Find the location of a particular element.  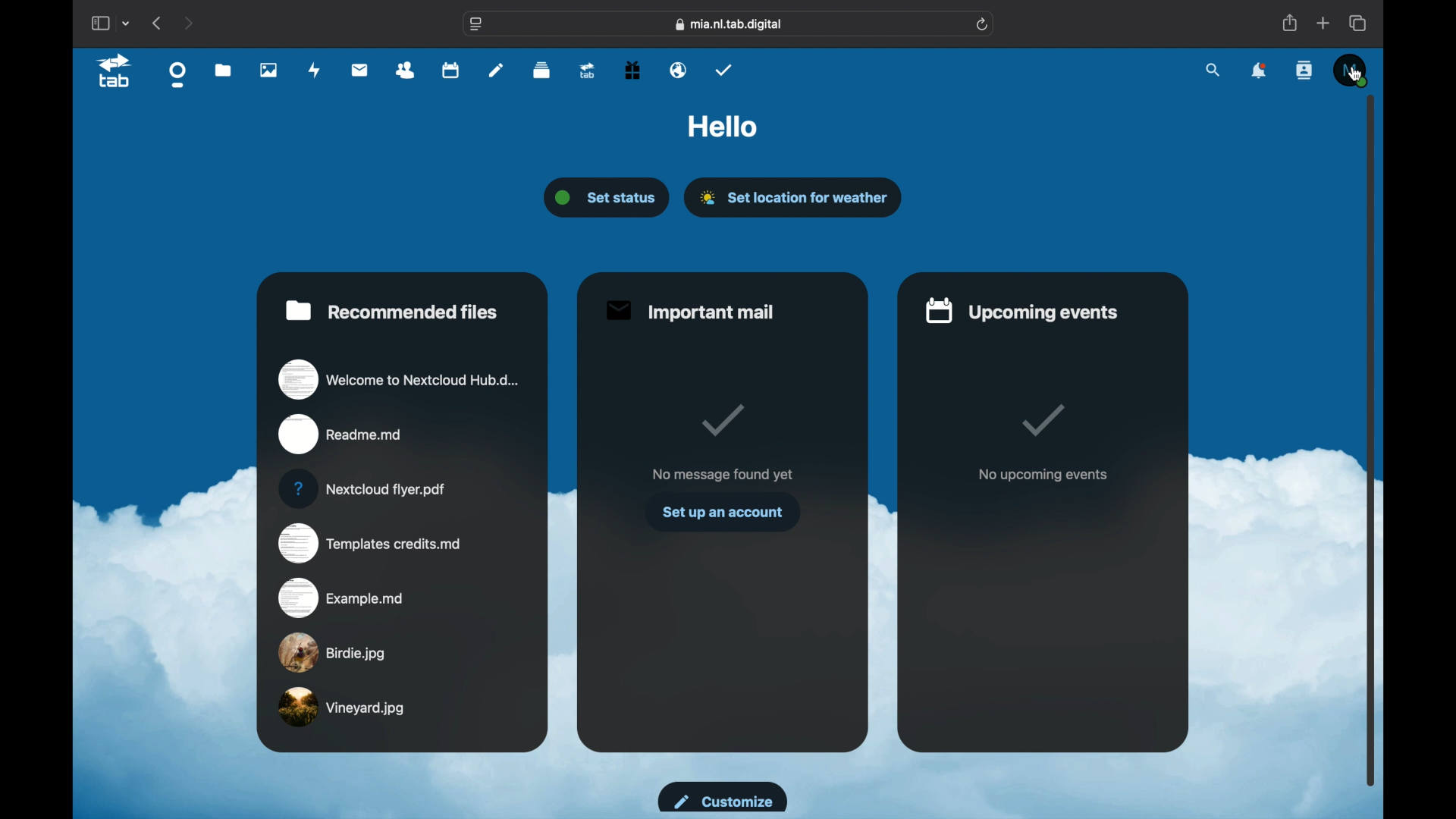

contacts is located at coordinates (1306, 71).